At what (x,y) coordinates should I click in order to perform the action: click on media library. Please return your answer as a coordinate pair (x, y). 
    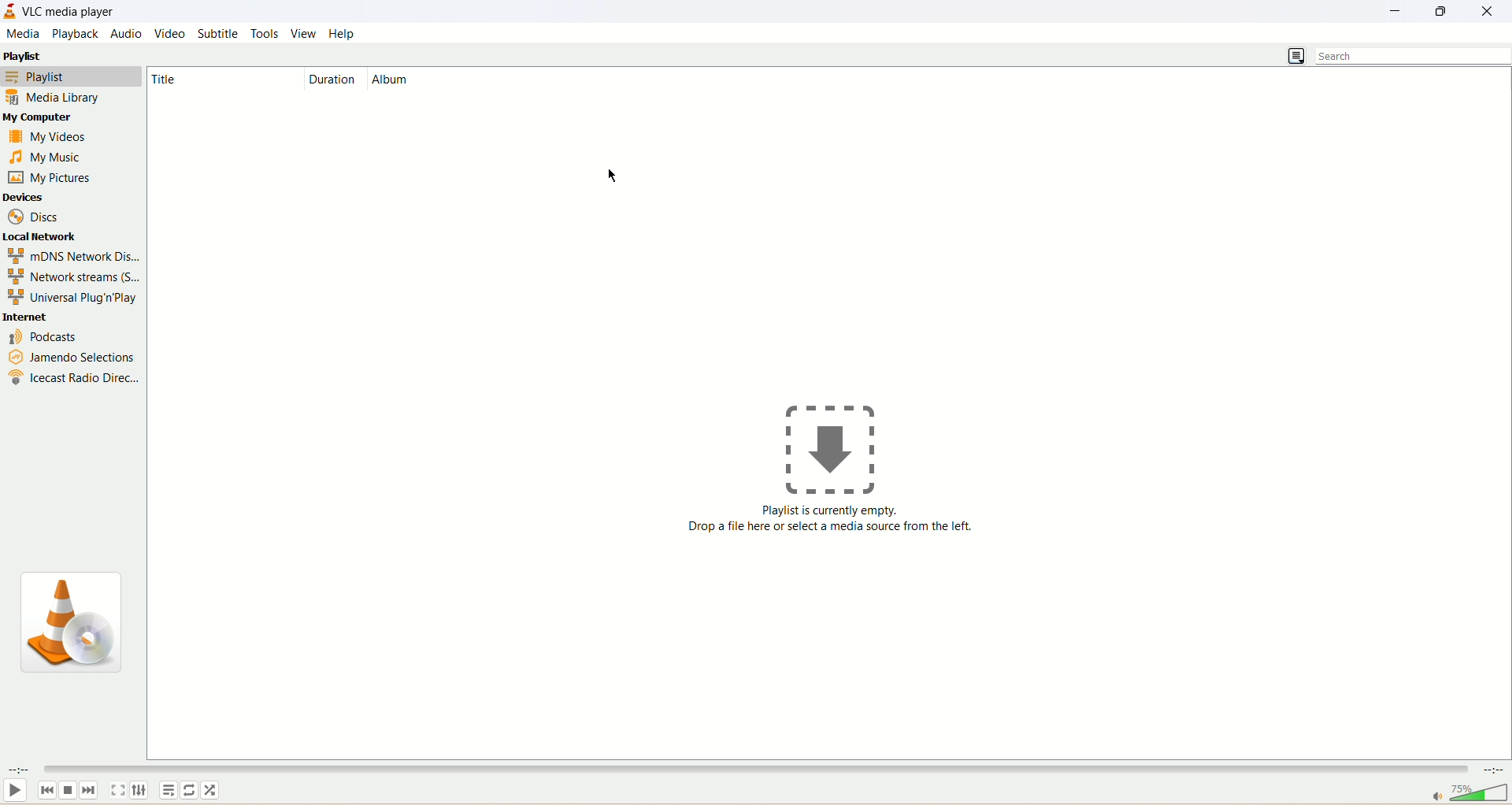
    Looking at the image, I should click on (53, 96).